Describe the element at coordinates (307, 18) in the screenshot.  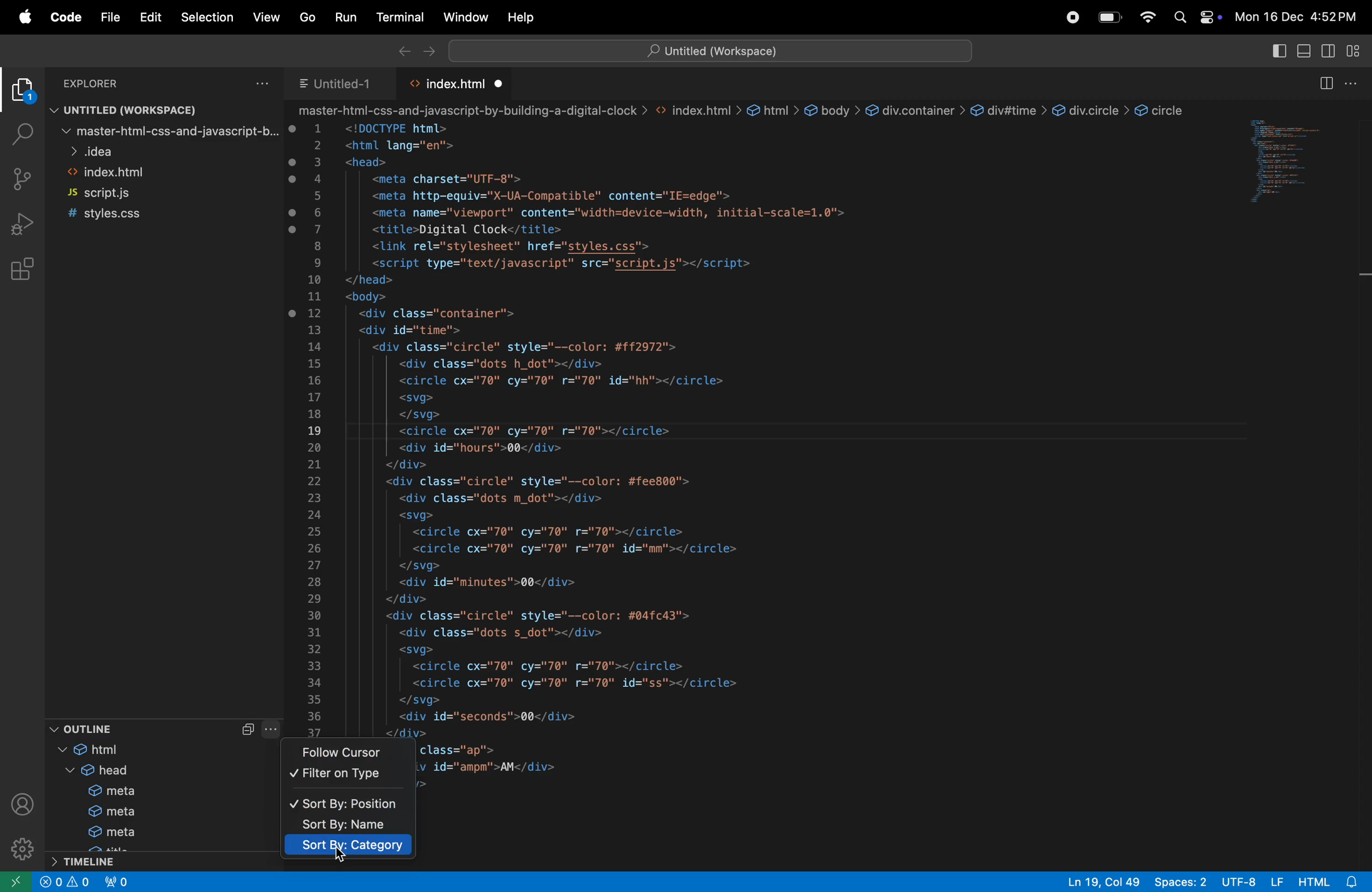
I see `go` at that location.